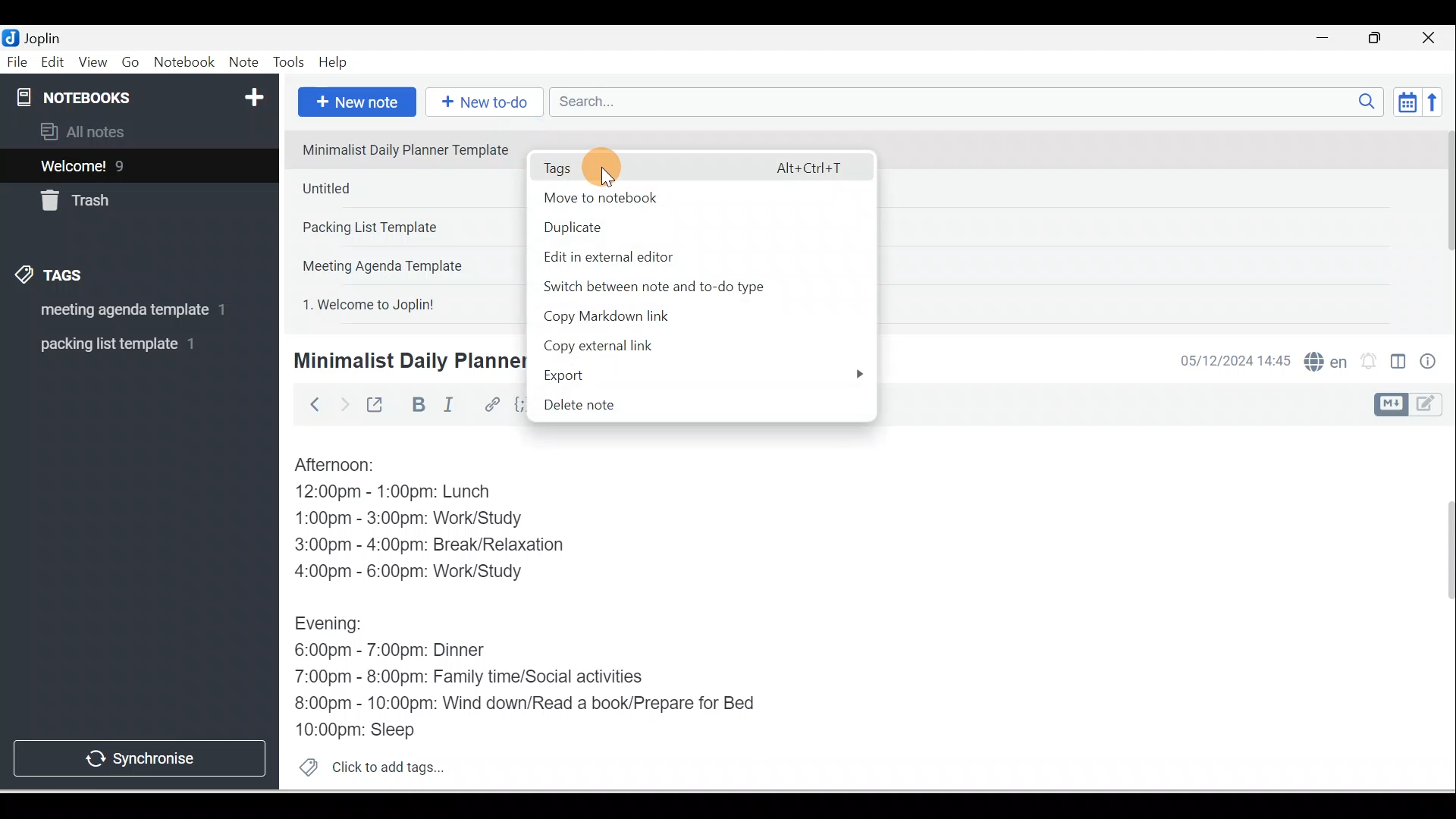 The image size is (1456, 819). I want to click on Copy markdown link, so click(663, 316).